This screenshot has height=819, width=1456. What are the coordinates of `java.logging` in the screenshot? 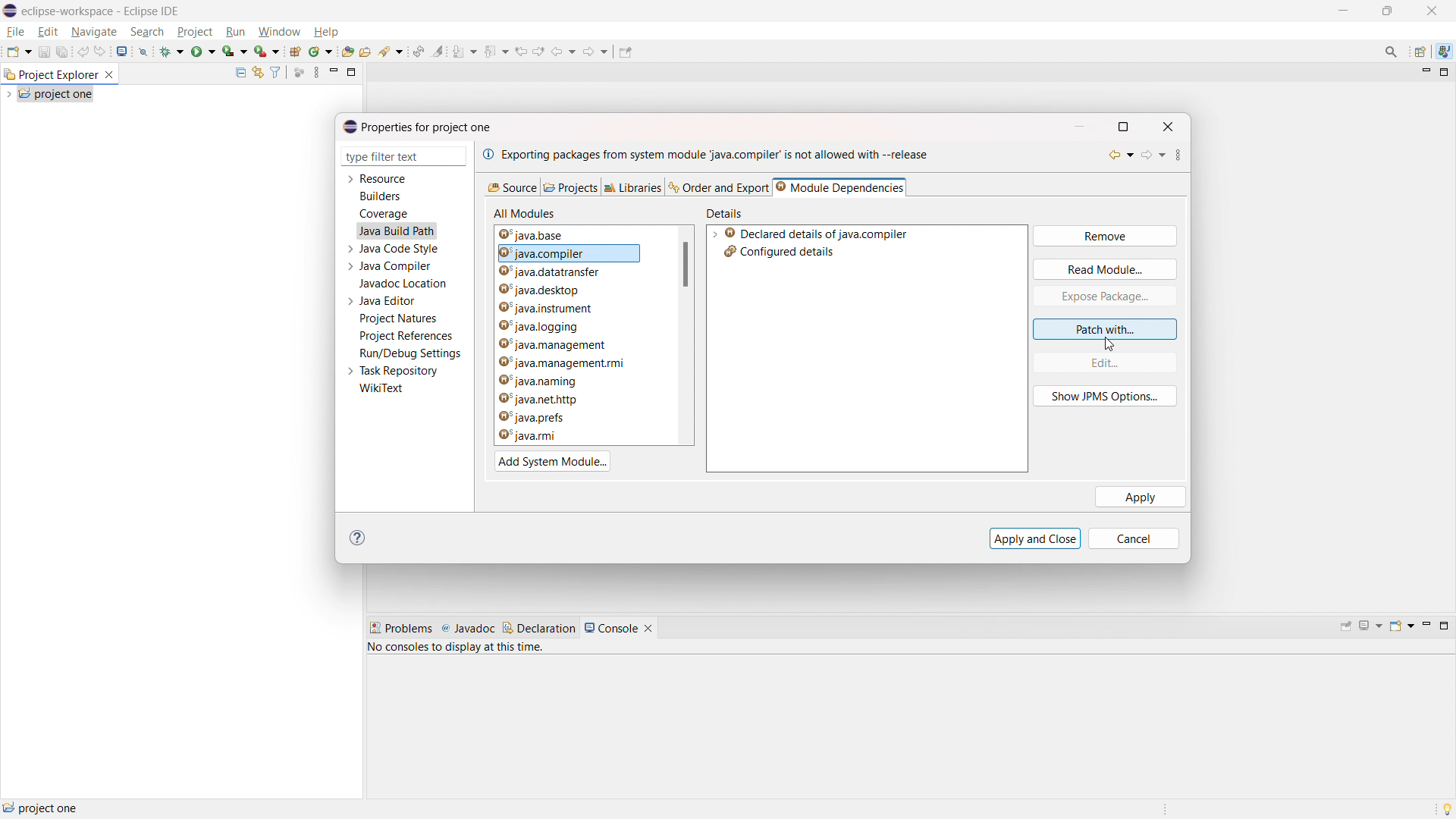 It's located at (567, 326).